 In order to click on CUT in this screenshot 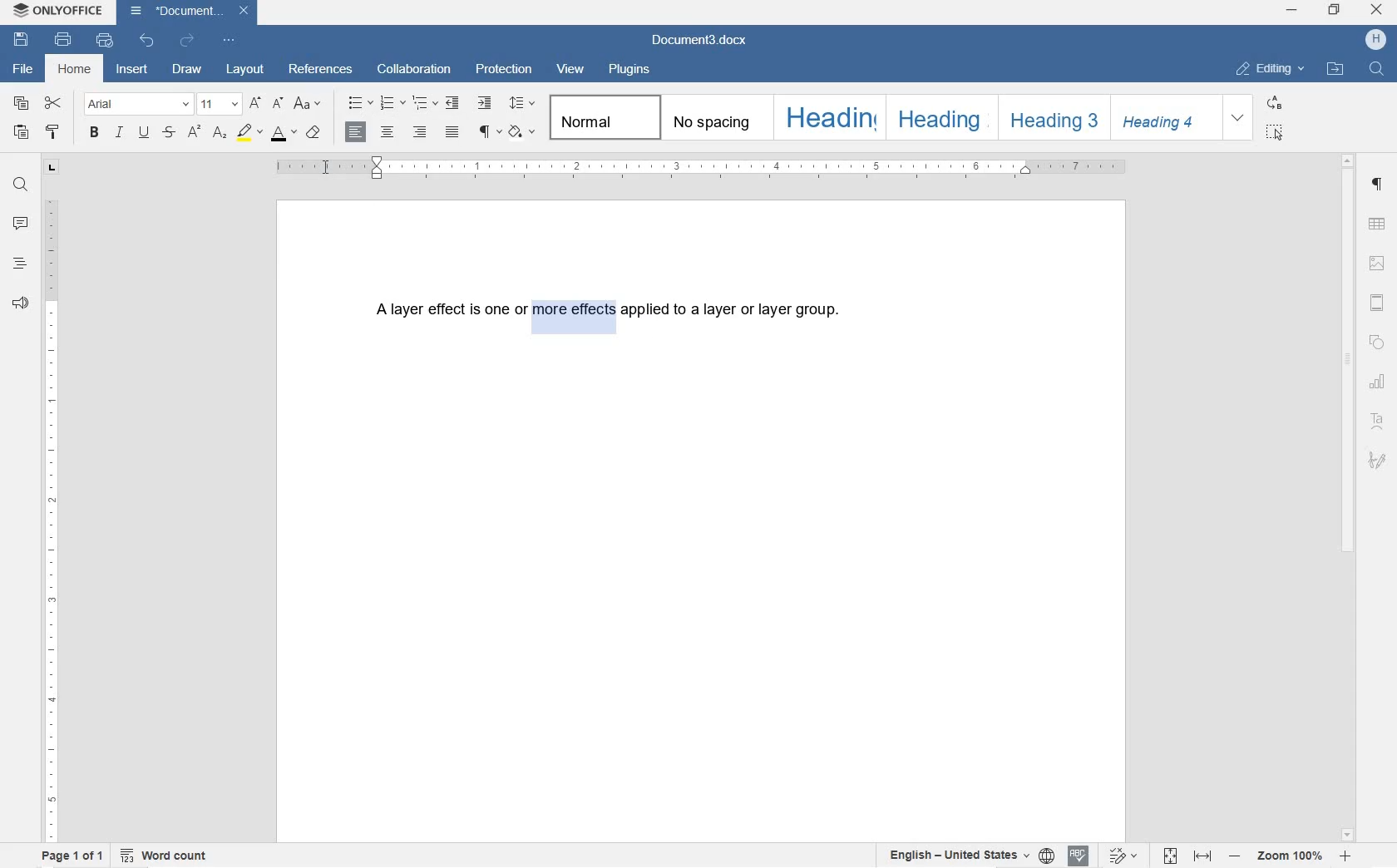, I will do `click(53, 103)`.